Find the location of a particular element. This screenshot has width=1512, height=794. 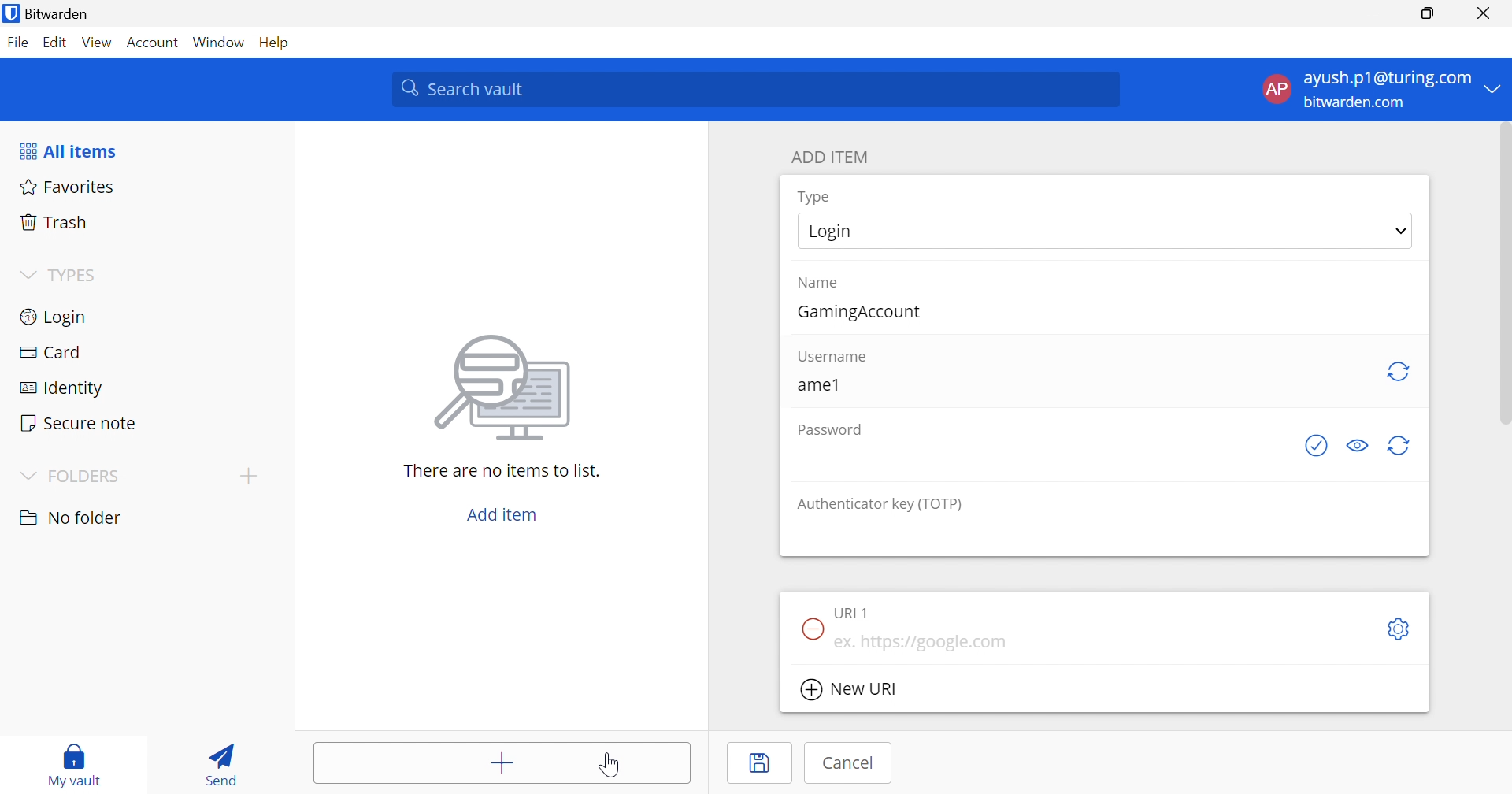

Search vault is located at coordinates (757, 89).